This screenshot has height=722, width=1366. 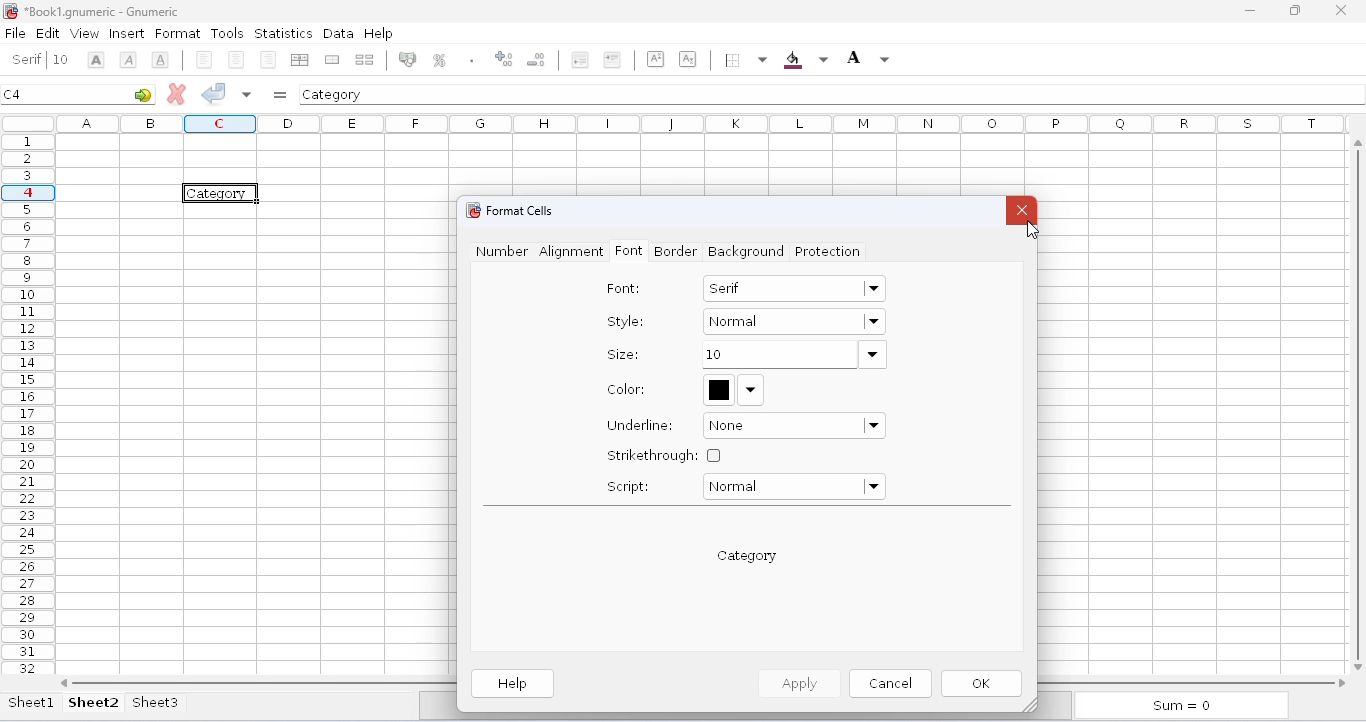 What do you see at coordinates (793, 487) in the screenshot?
I see `normal` at bounding box center [793, 487].